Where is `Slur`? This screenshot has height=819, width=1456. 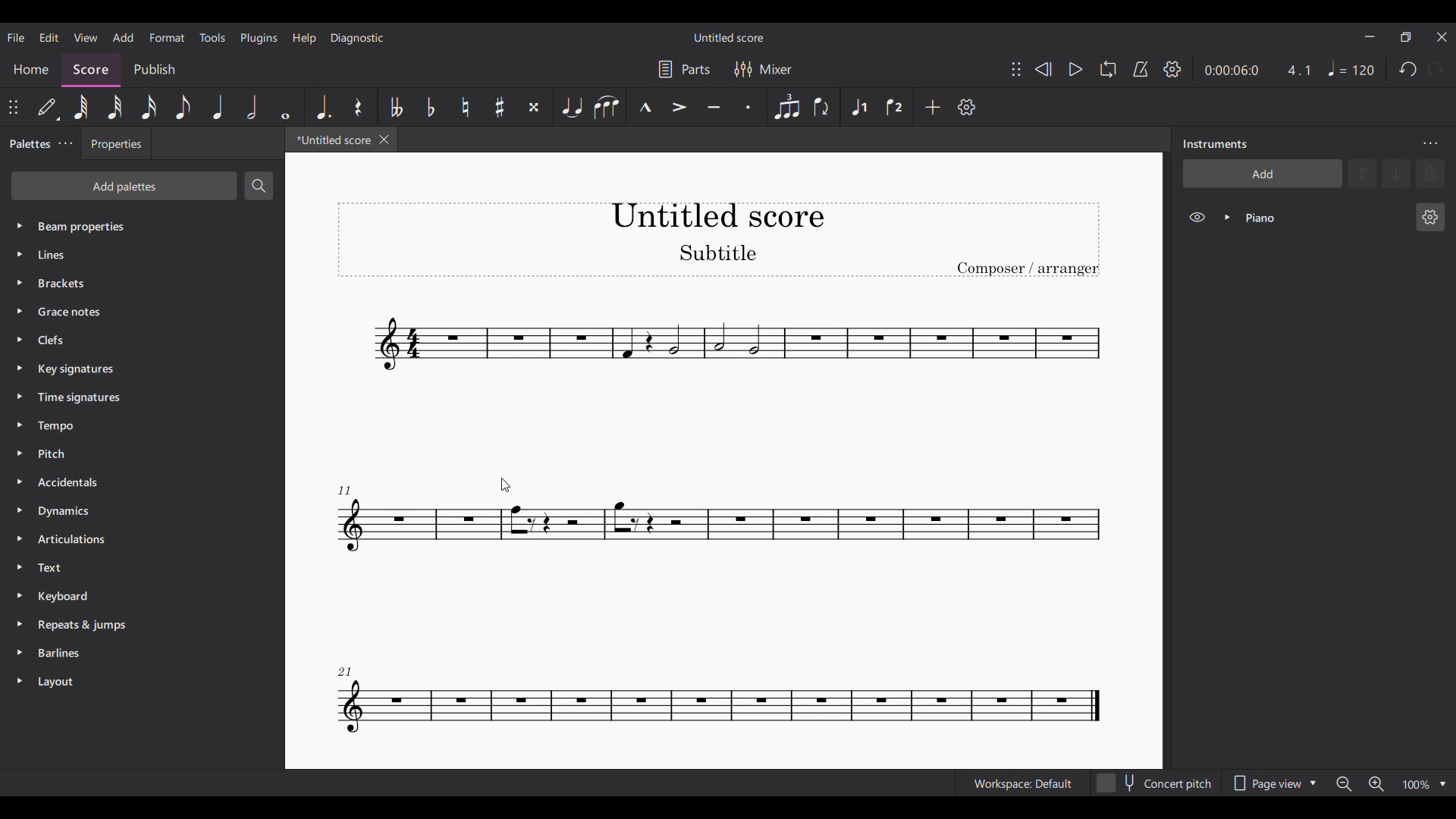 Slur is located at coordinates (608, 107).